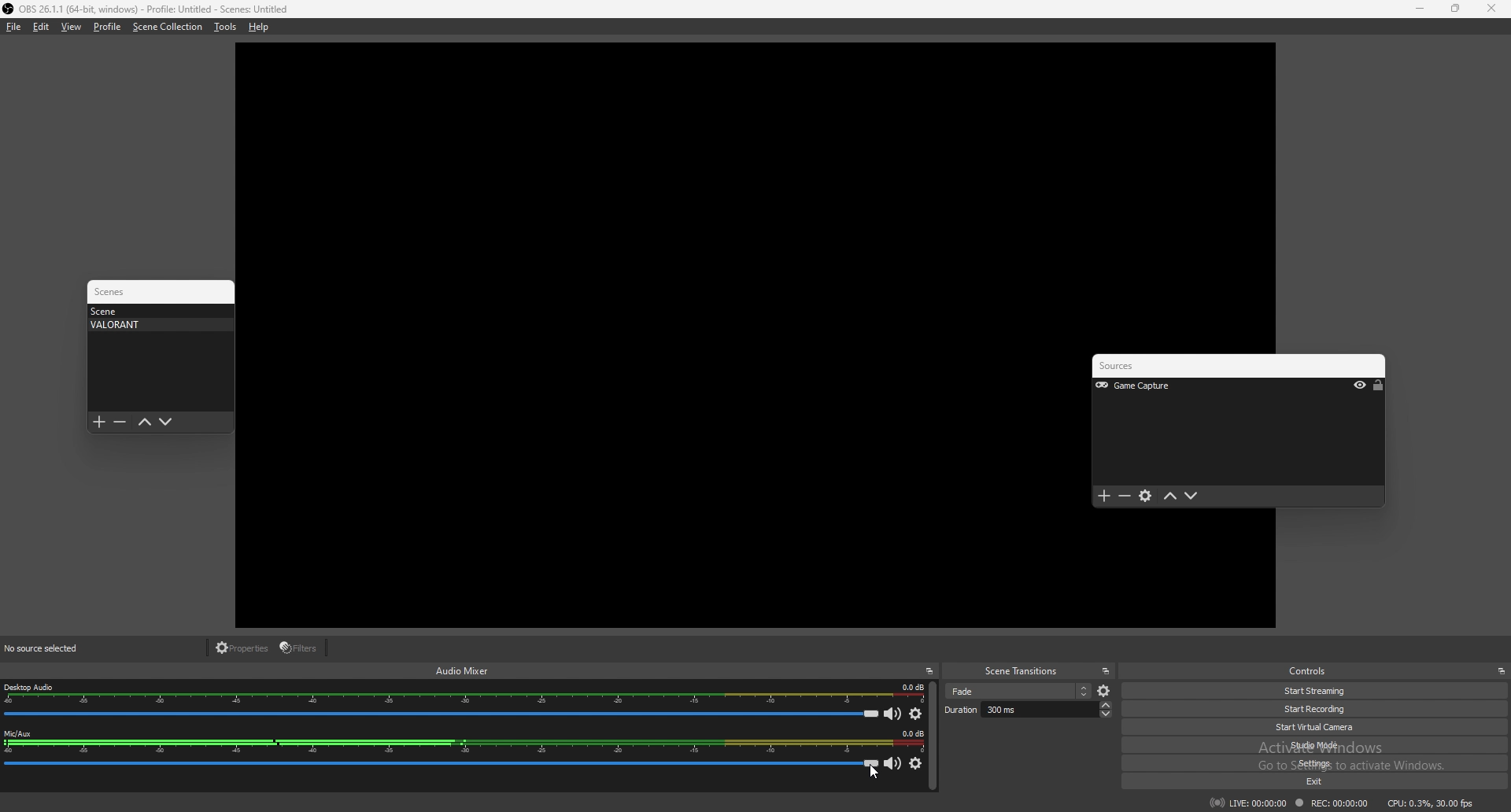 The image size is (1511, 812). I want to click on view, so click(72, 26).